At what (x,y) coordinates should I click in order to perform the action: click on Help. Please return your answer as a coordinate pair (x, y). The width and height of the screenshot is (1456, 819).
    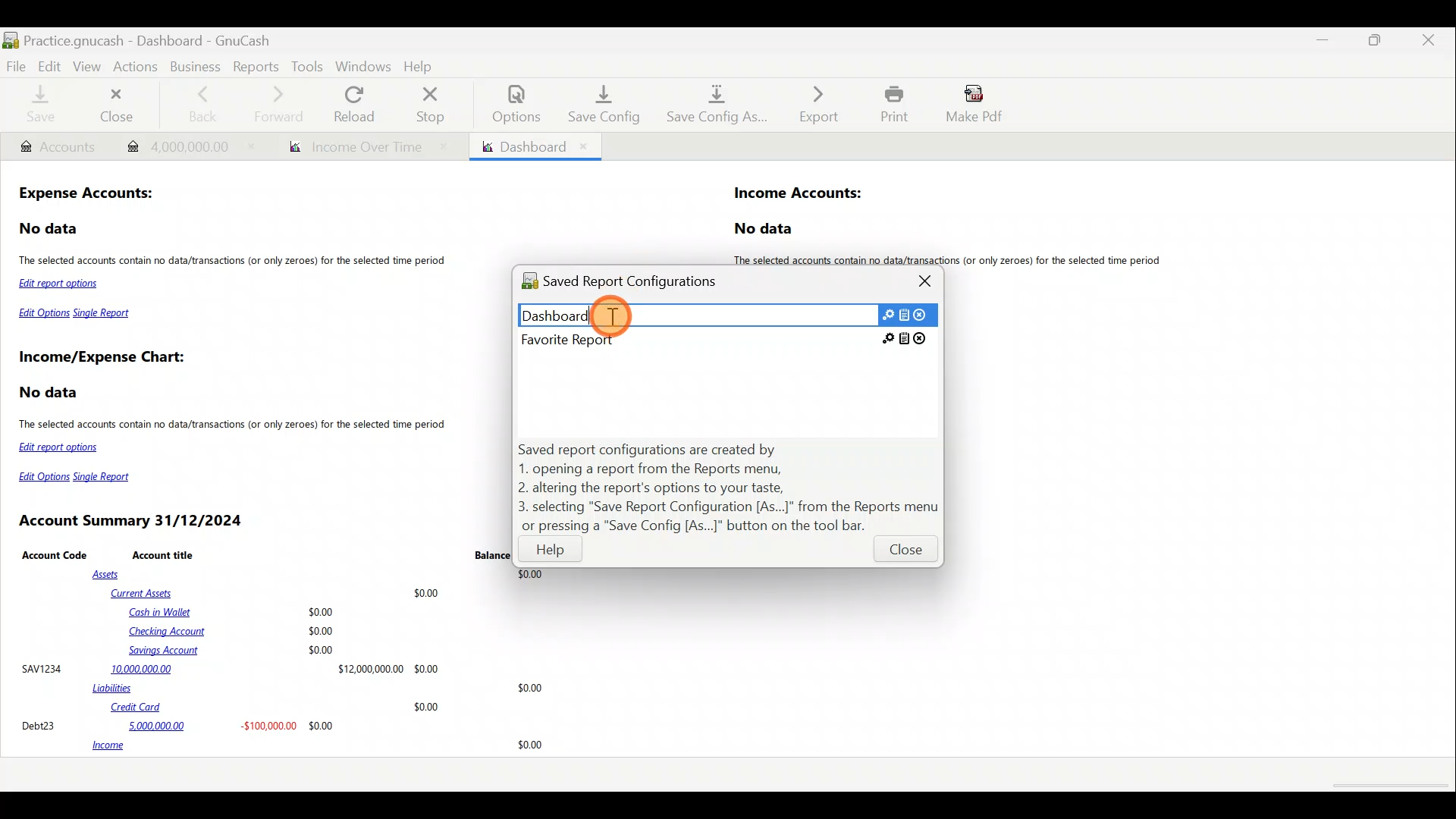
    Looking at the image, I should click on (422, 64).